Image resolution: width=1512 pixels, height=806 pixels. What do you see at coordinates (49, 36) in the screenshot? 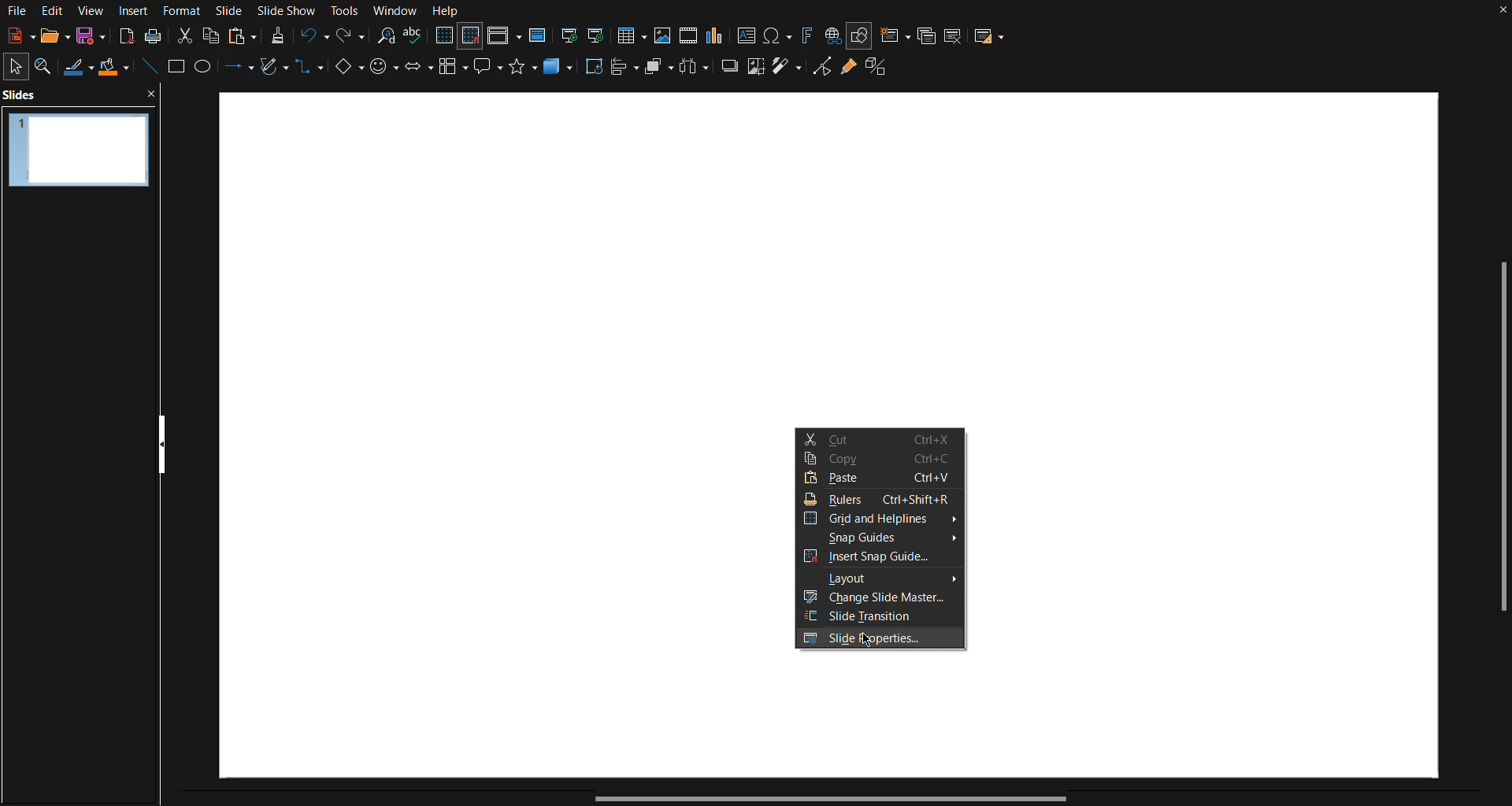
I see `Open` at bounding box center [49, 36].